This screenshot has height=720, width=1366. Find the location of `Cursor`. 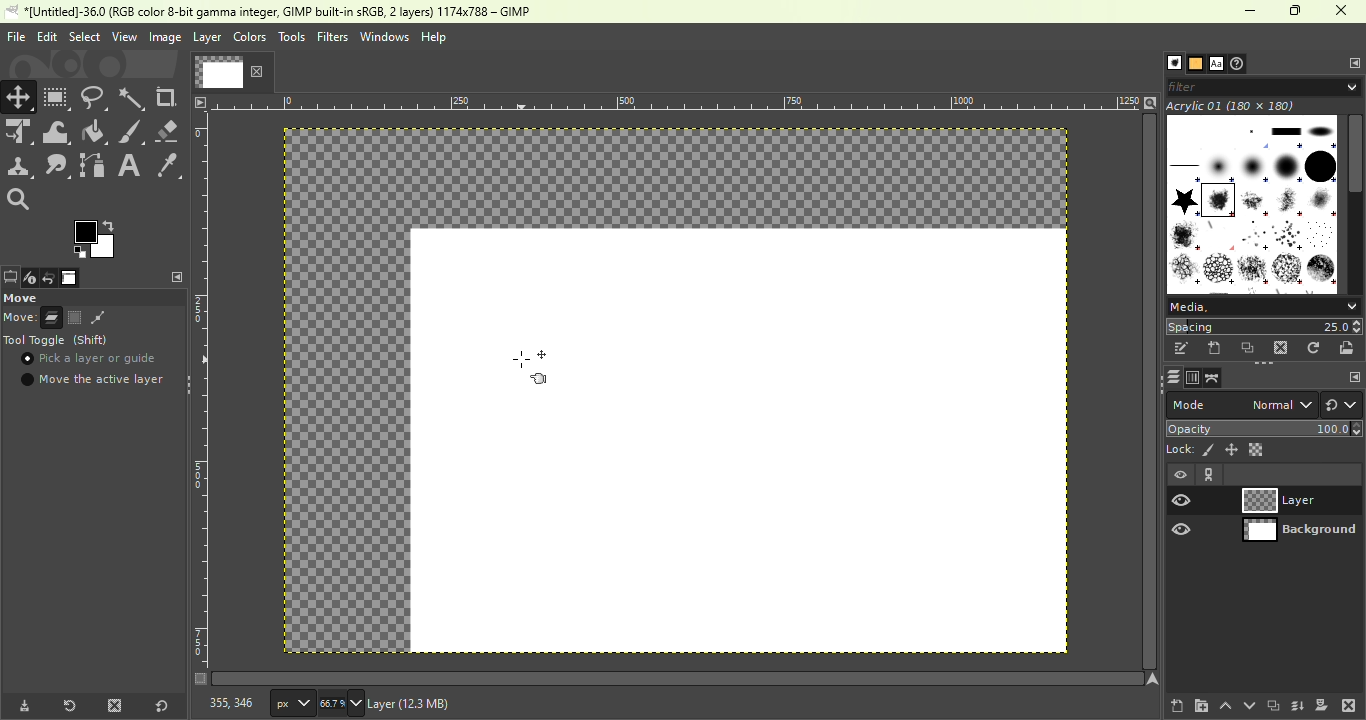

Cursor is located at coordinates (532, 373).